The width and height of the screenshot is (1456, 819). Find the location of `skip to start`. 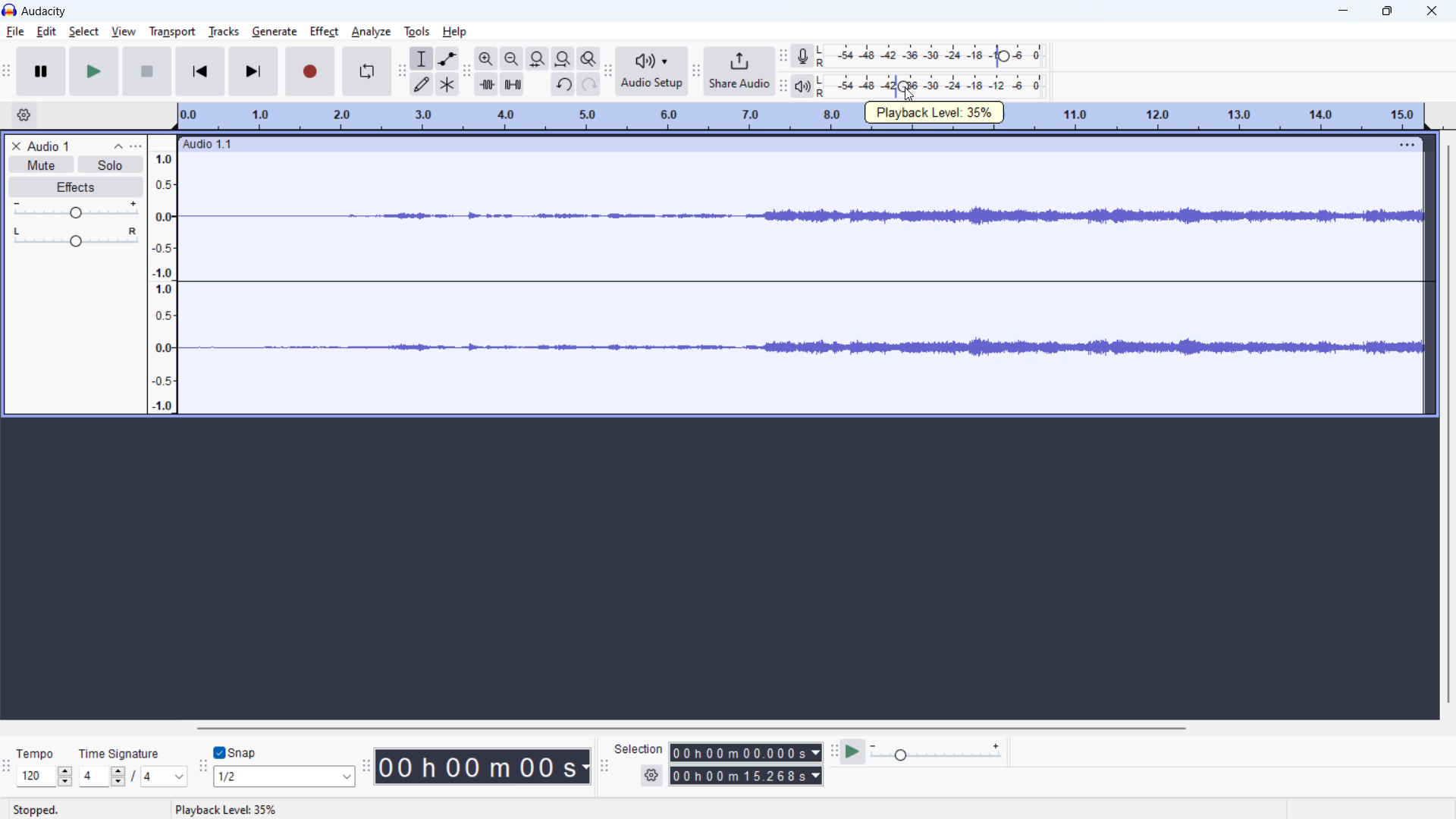

skip to start is located at coordinates (199, 71).